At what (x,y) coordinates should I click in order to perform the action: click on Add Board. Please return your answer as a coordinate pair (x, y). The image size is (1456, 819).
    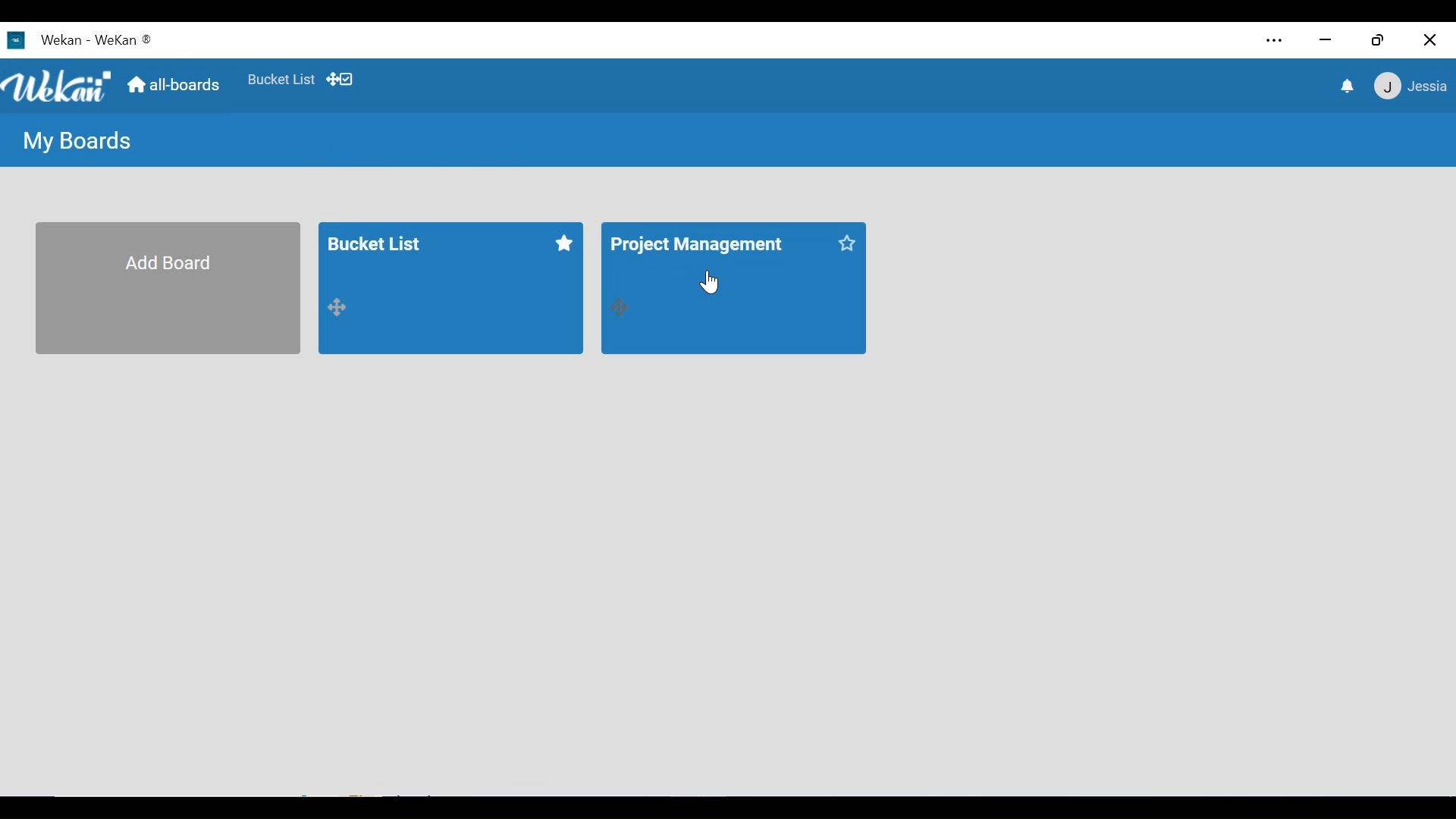
    Looking at the image, I should click on (166, 287).